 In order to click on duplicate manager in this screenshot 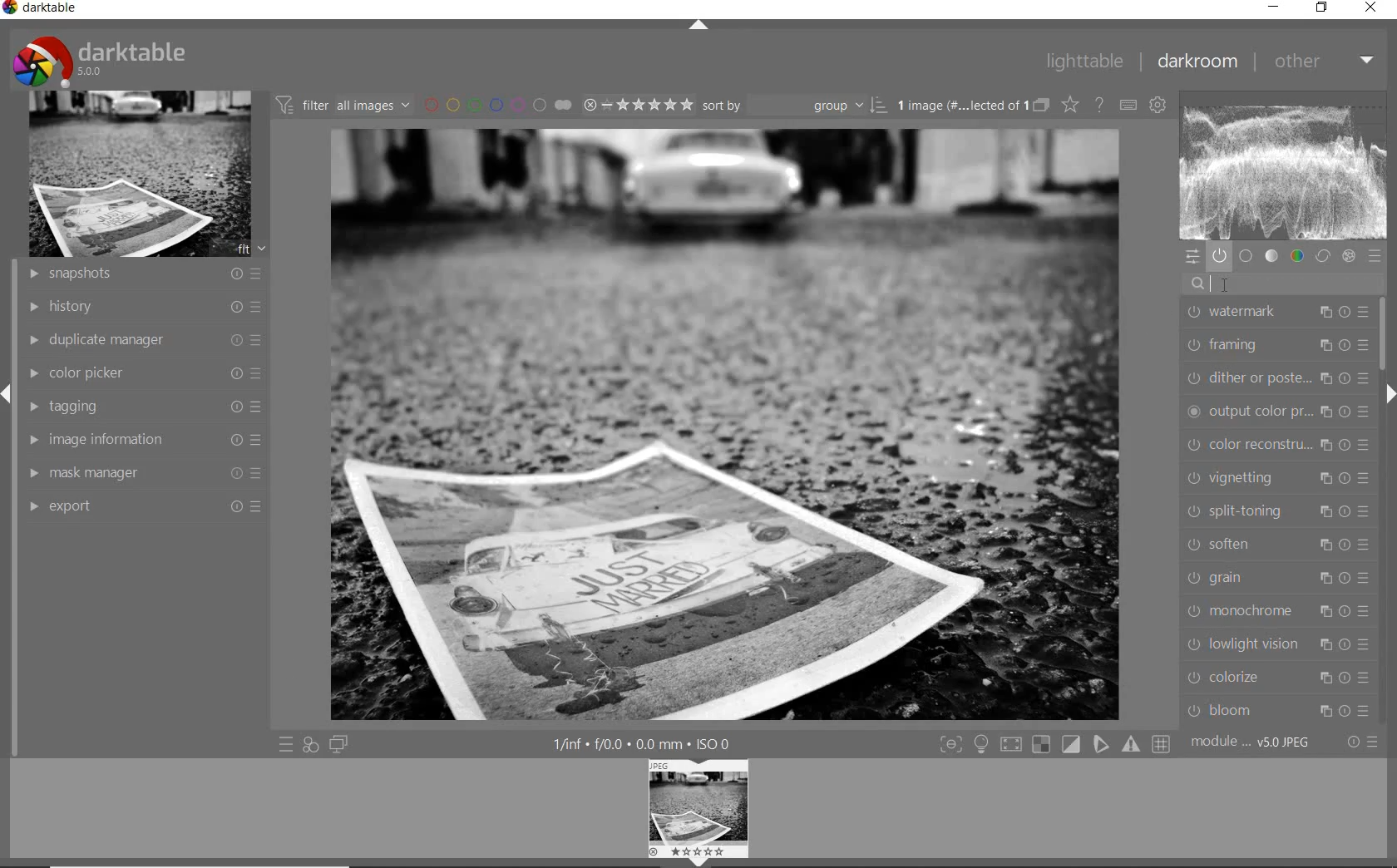, I will do `click(142, 341)`.